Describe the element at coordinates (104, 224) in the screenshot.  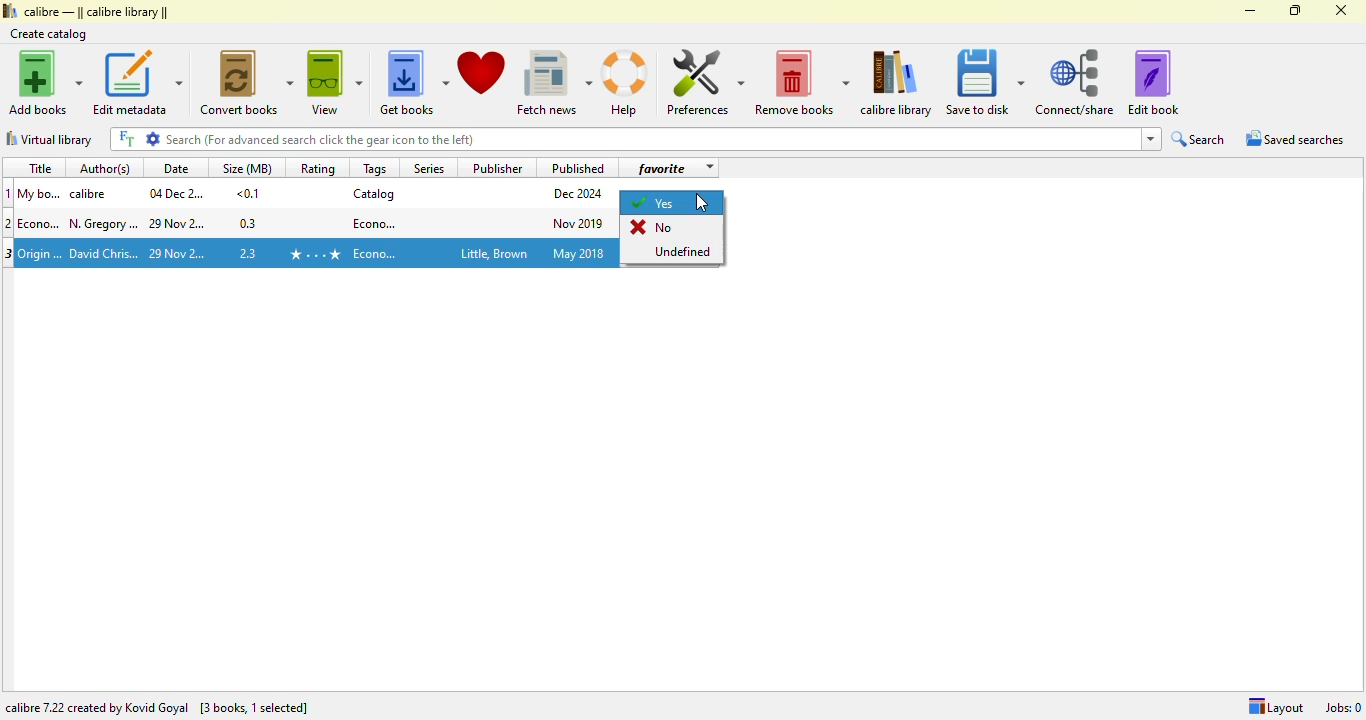
I see `author` at that location.